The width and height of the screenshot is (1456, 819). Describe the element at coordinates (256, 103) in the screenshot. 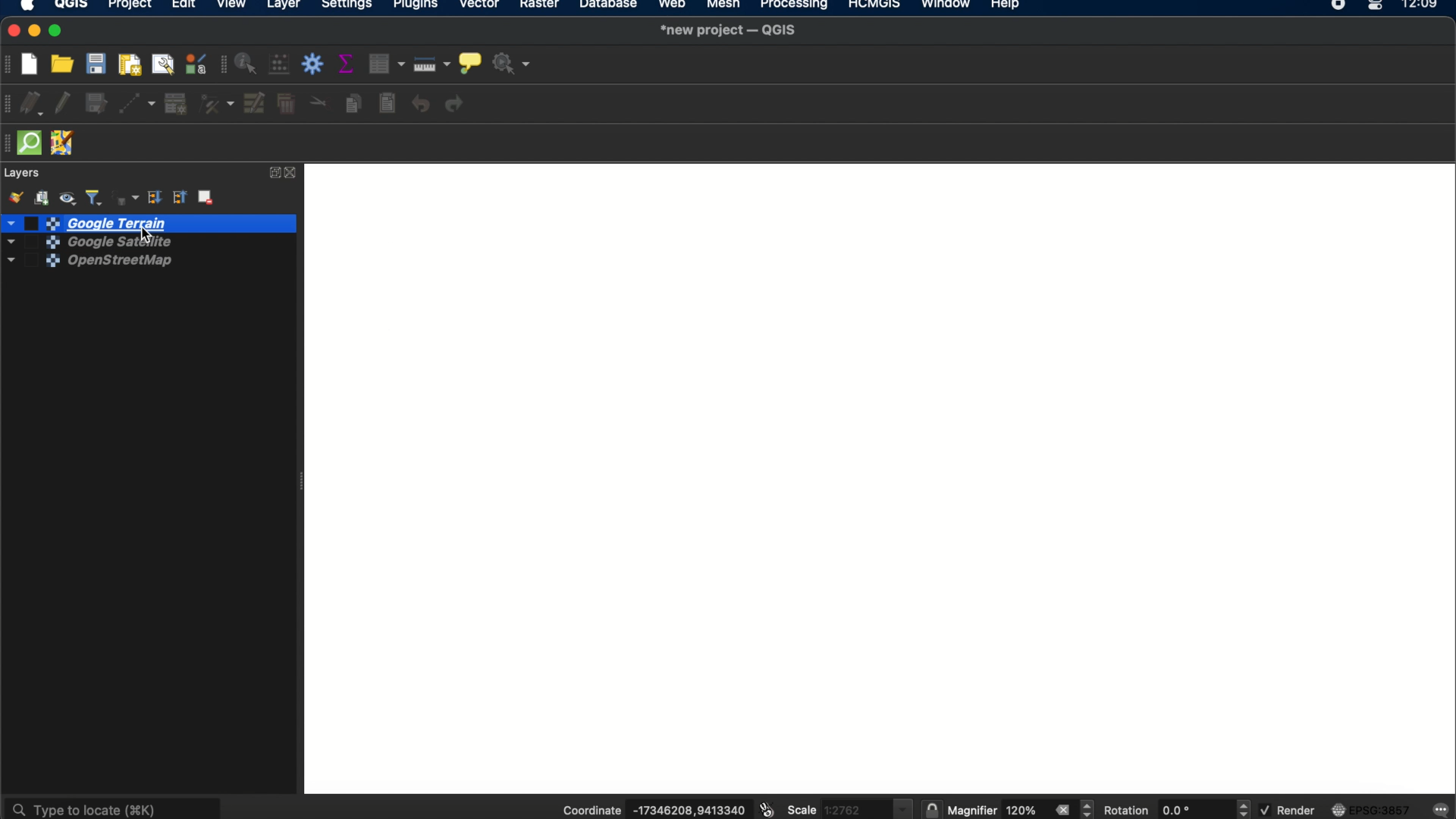

I see `modify` at that location.